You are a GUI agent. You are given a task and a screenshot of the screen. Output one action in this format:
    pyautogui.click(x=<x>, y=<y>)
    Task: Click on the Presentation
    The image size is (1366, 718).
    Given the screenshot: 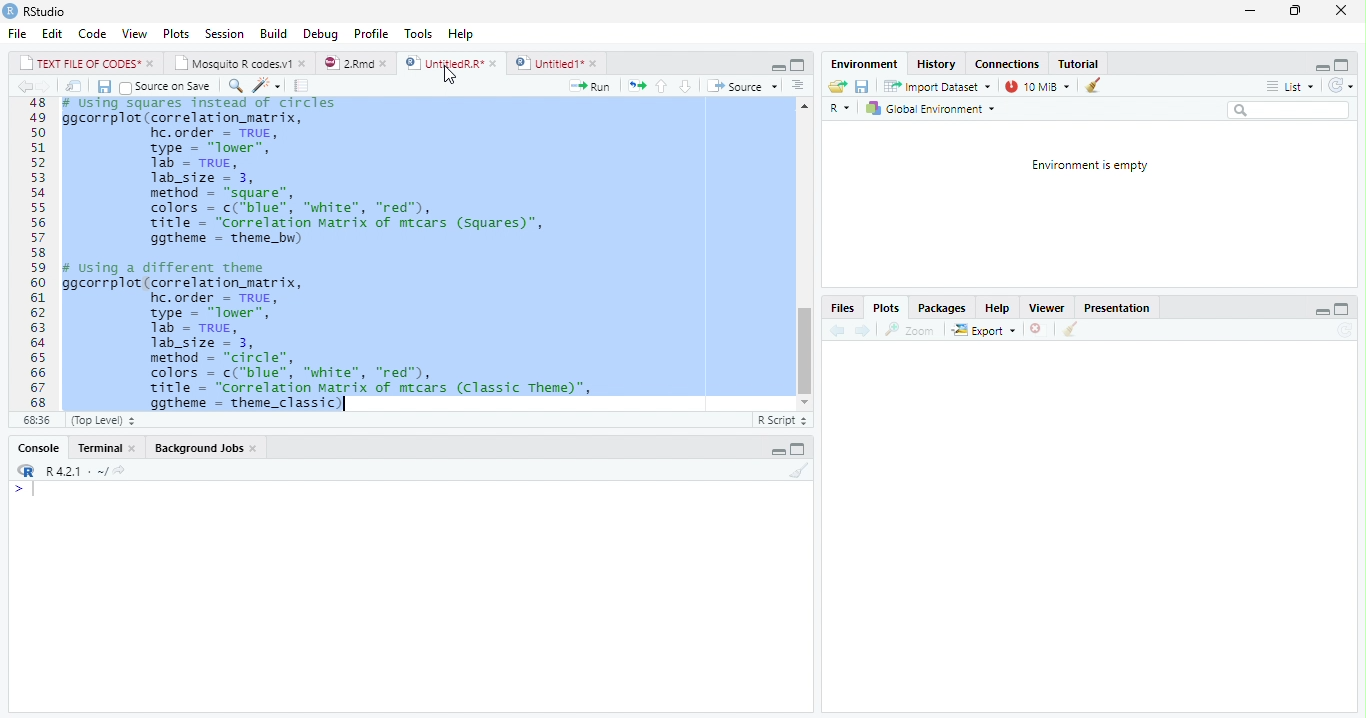 What is the action you would take?
    pyautogui.click(x=1121, y=308)
    